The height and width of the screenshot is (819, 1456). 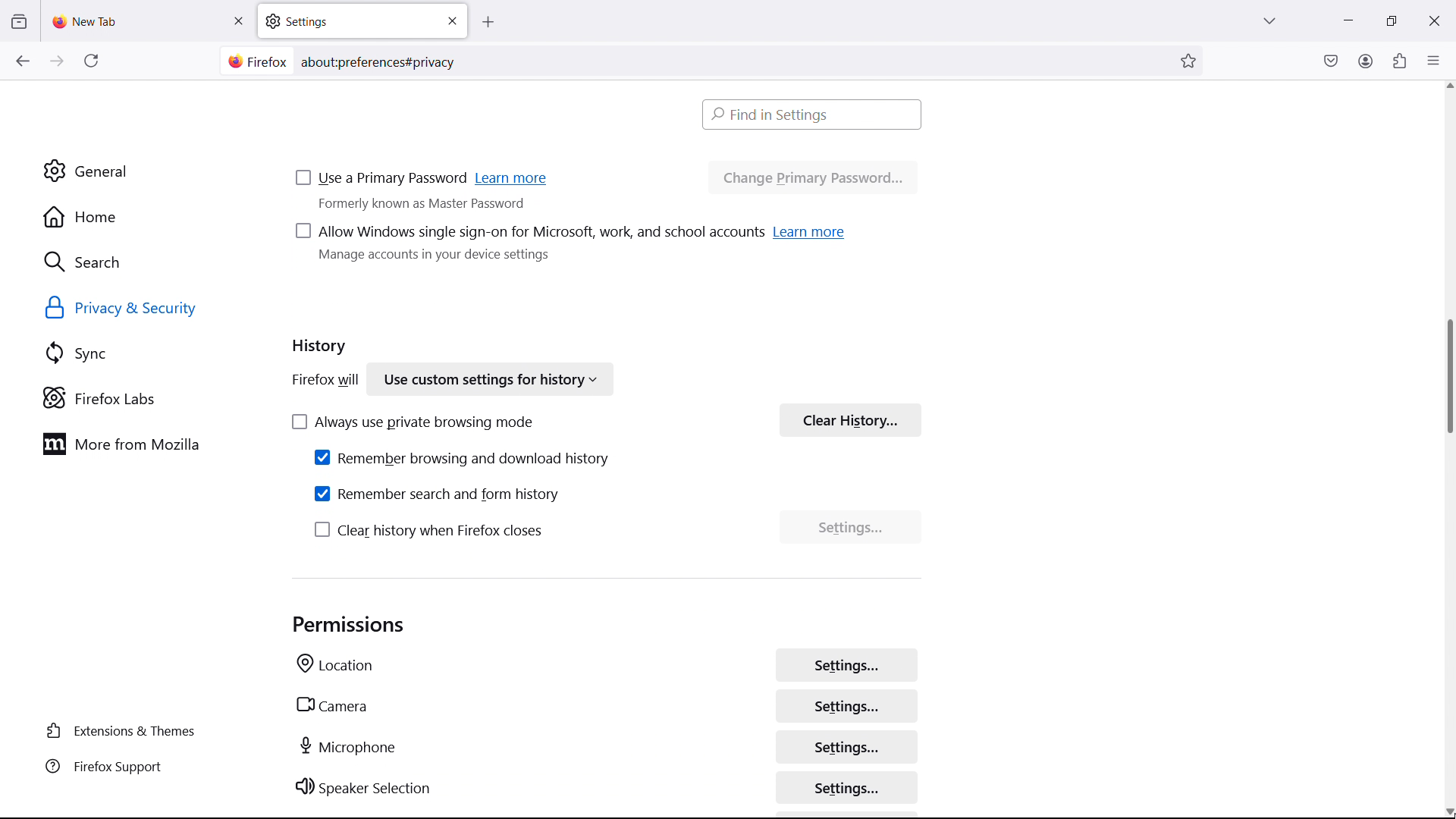 I want to click on use a primary password checkbox, so click(x=381, y=177).